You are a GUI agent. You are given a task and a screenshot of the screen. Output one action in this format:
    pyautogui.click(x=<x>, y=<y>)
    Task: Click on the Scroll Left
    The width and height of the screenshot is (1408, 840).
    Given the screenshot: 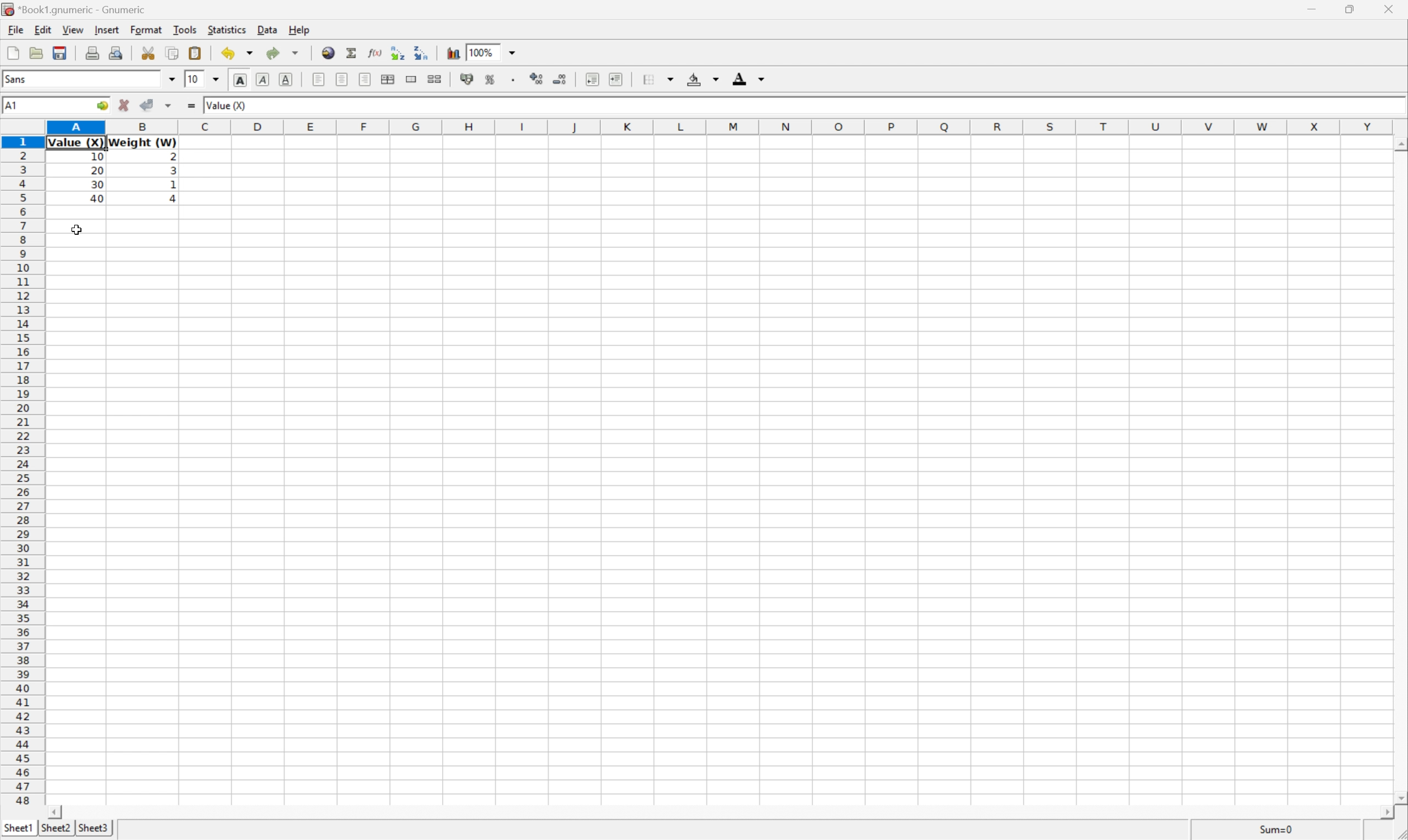 What is the action you would take?
    pyautogui.click(x=55, y=812)
    